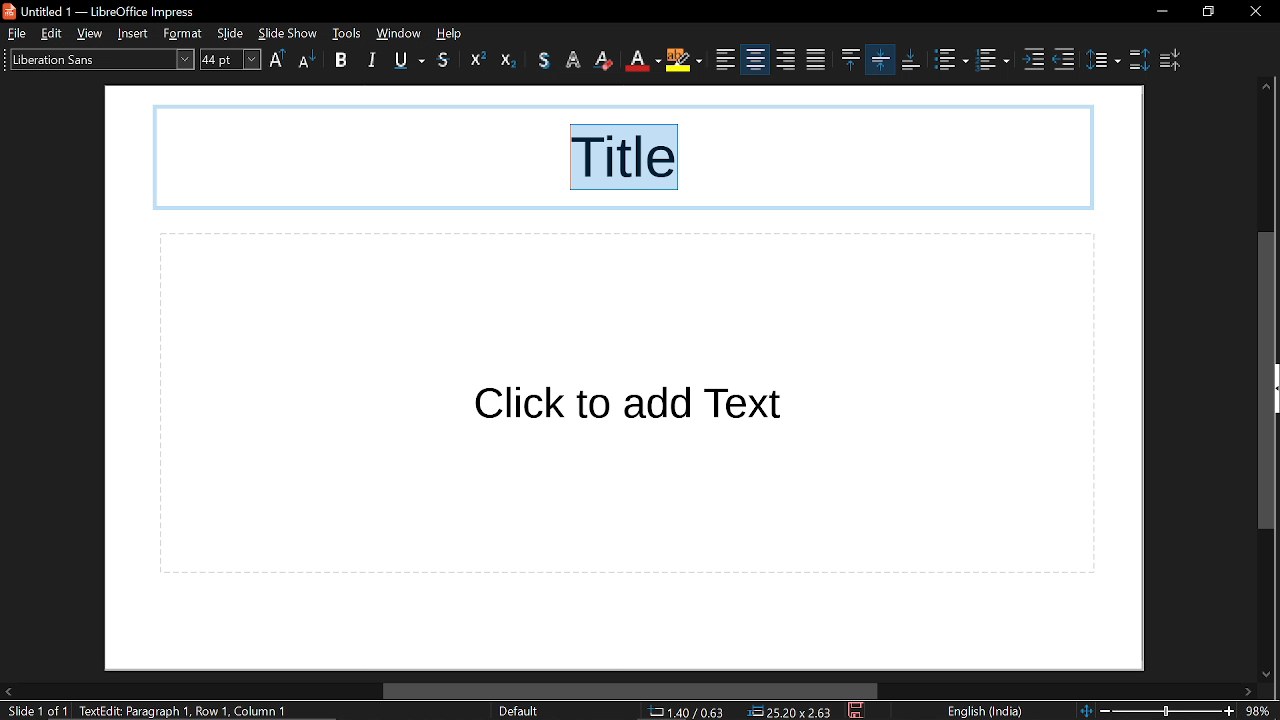 This screenshot has height=720, width=1280. What do you see at coordinates (445, 61) in the screenshot?
I see `shadow` at bounding box center [445, 61].